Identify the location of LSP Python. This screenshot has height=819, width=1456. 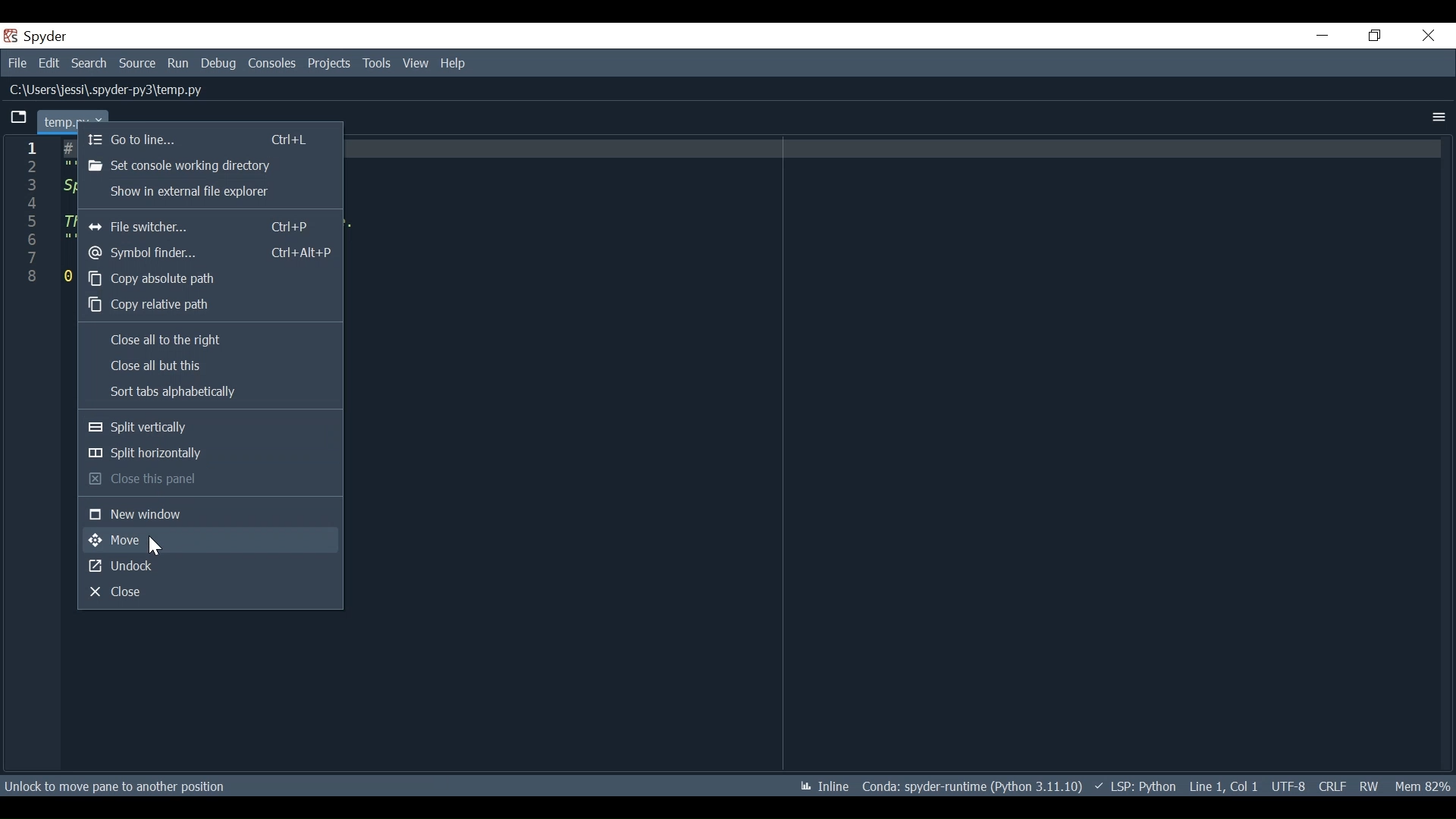
(1139, 787).